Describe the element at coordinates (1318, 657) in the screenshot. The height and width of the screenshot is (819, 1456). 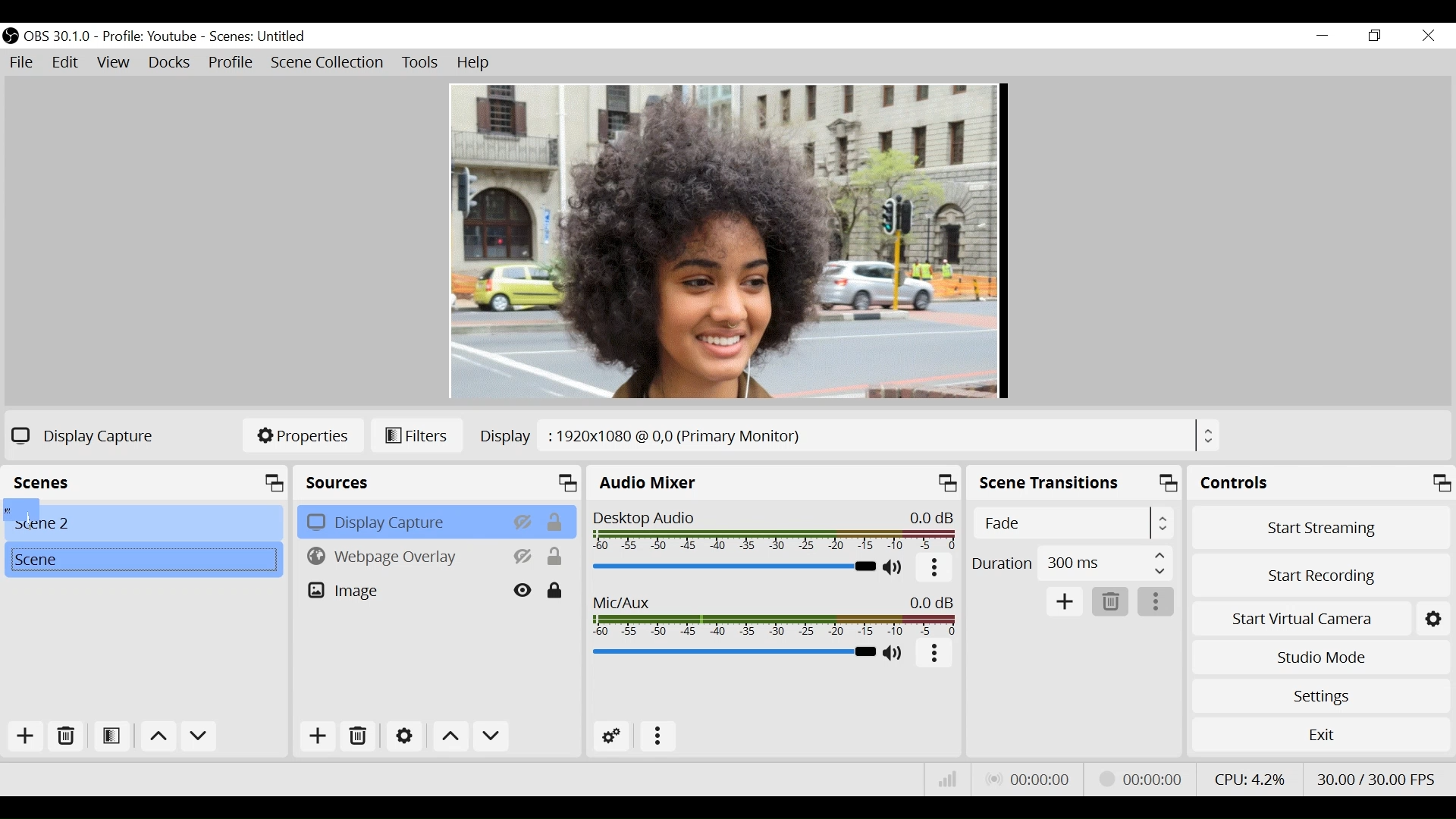
I see `Studio Mode` at that location.